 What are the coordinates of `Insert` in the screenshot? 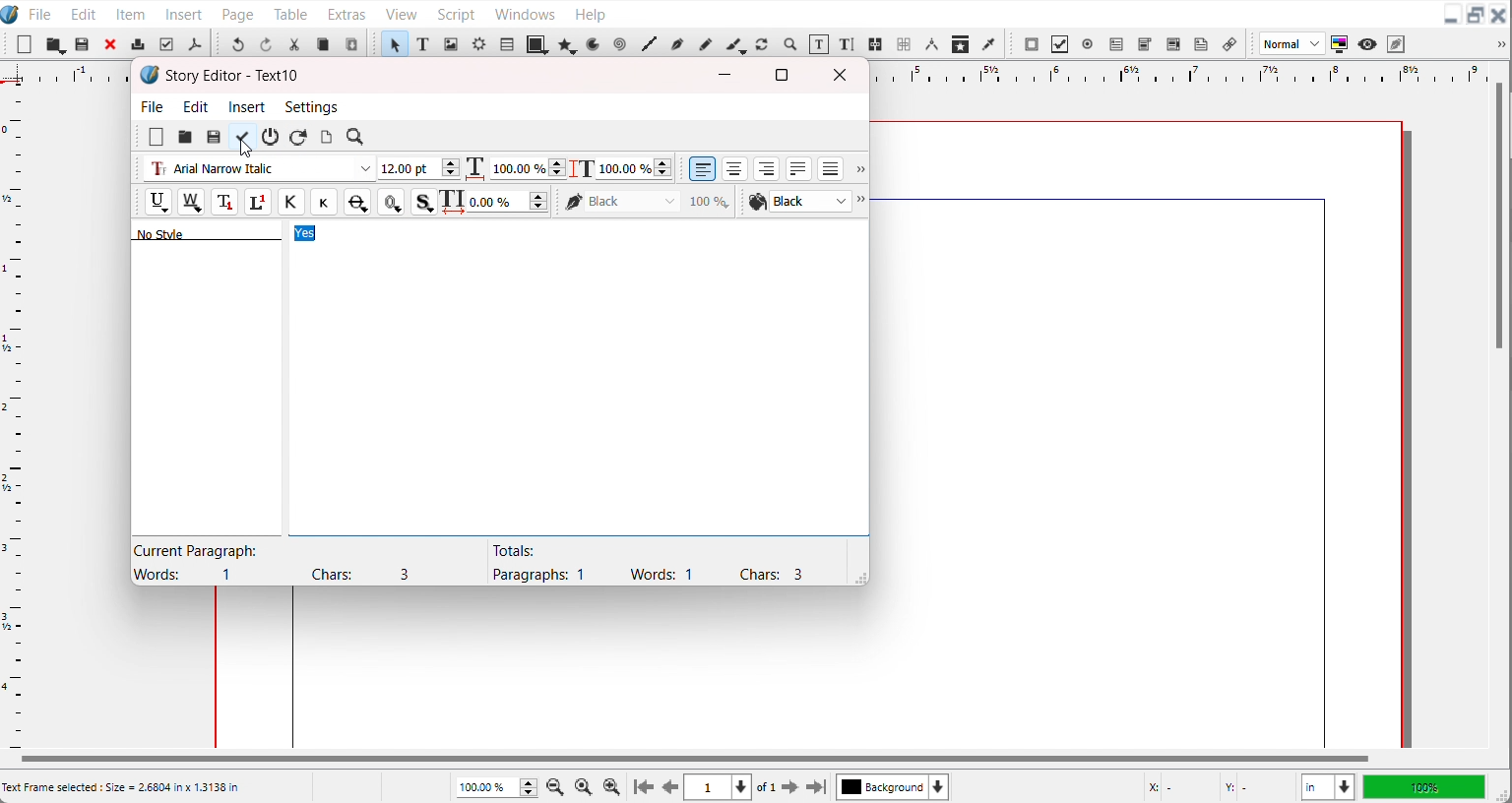 It's located at (185, 13).